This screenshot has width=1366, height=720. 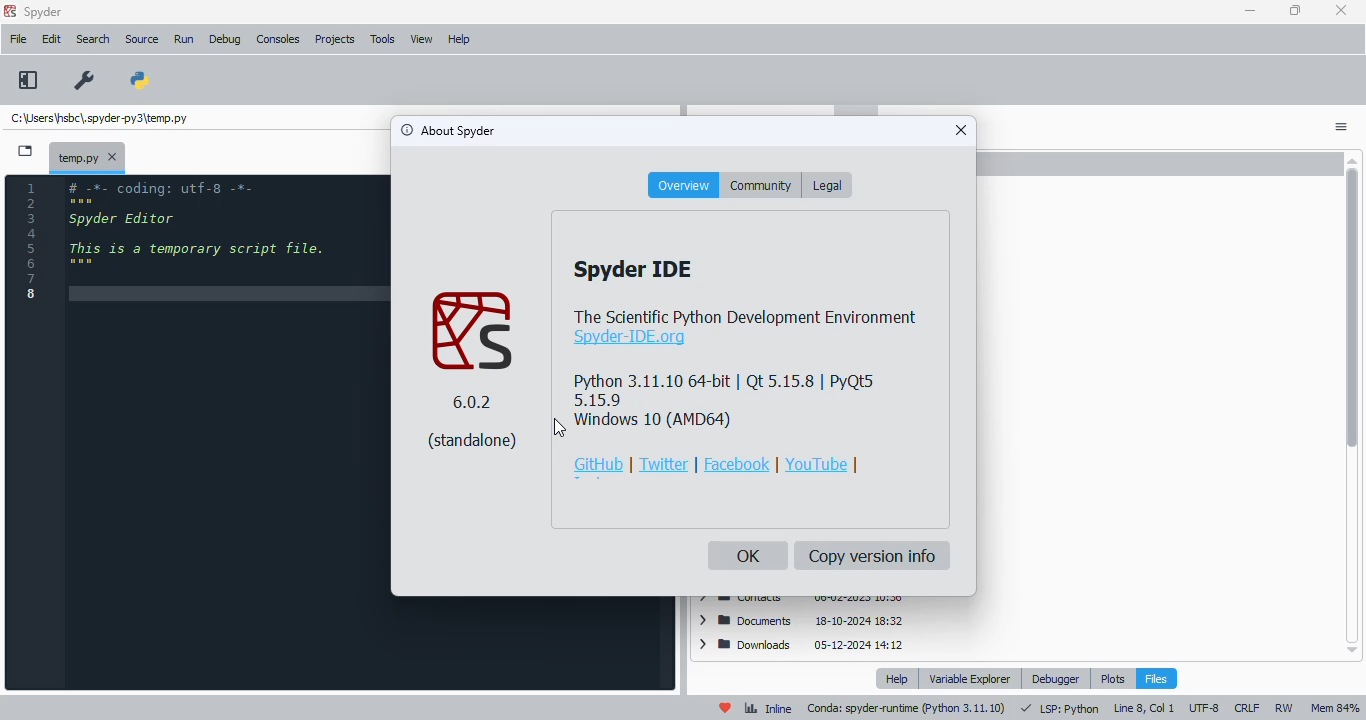 What do you see at coordinates (1335, 708) in the screenshot?
I see `mem 84%` at bounding box center [1335, 708].